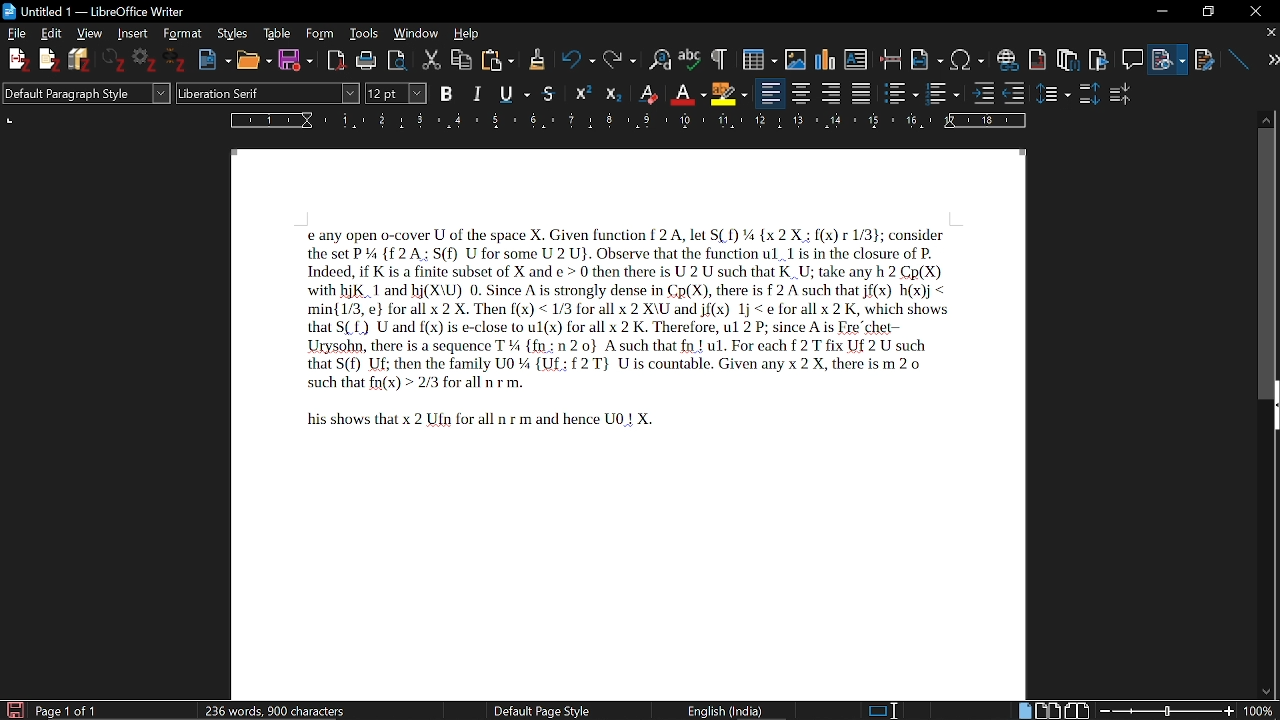 The image size is (1280, 720). Describe the element at coordinates (1019, 93) in the screenshot. I see `outline format options` at that location.